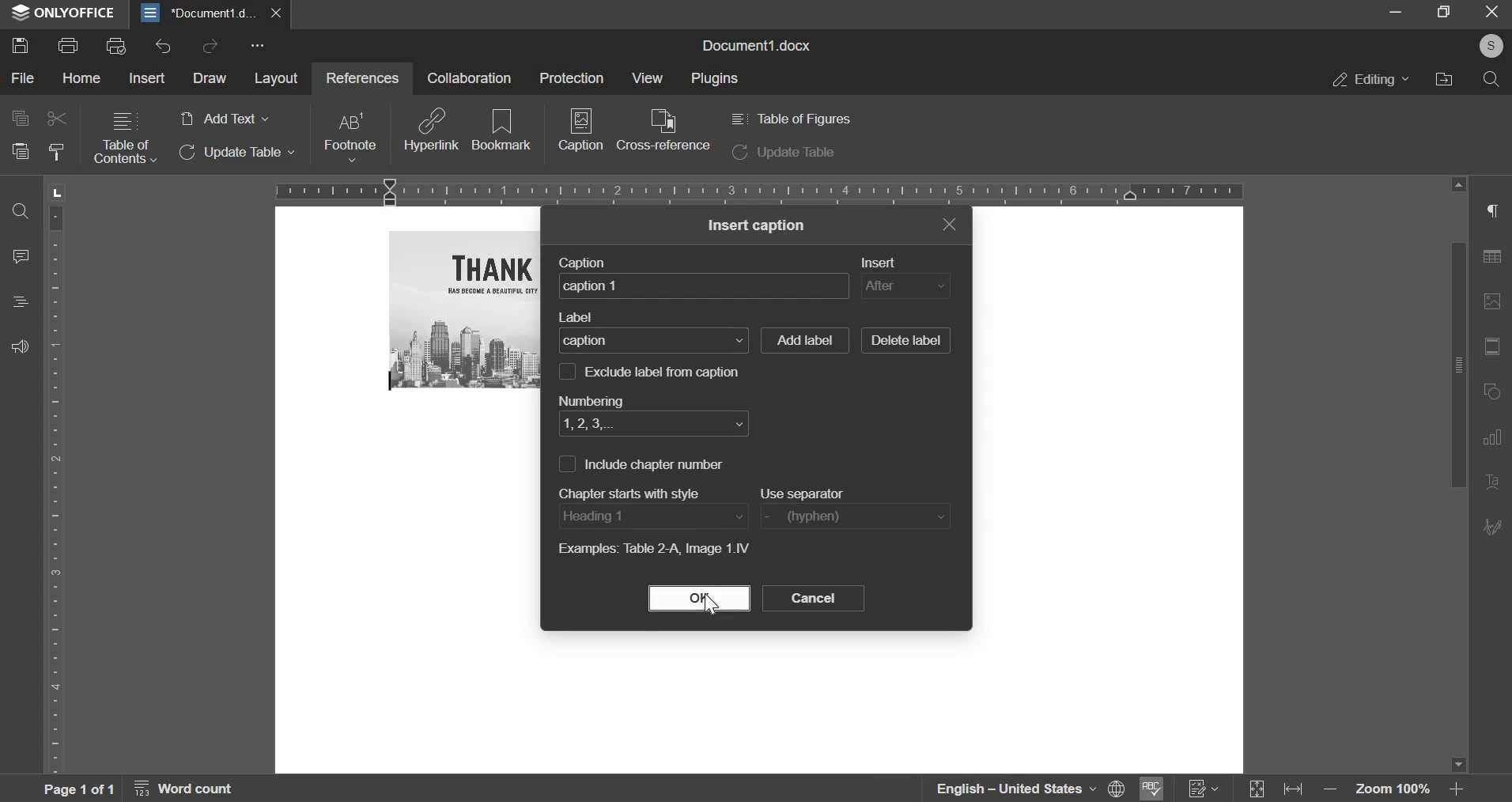 The image size is (1512, 802). What do you see at coordinates (59, 191) in the screenshot?
I see `L` at bounding box center [59, 191].